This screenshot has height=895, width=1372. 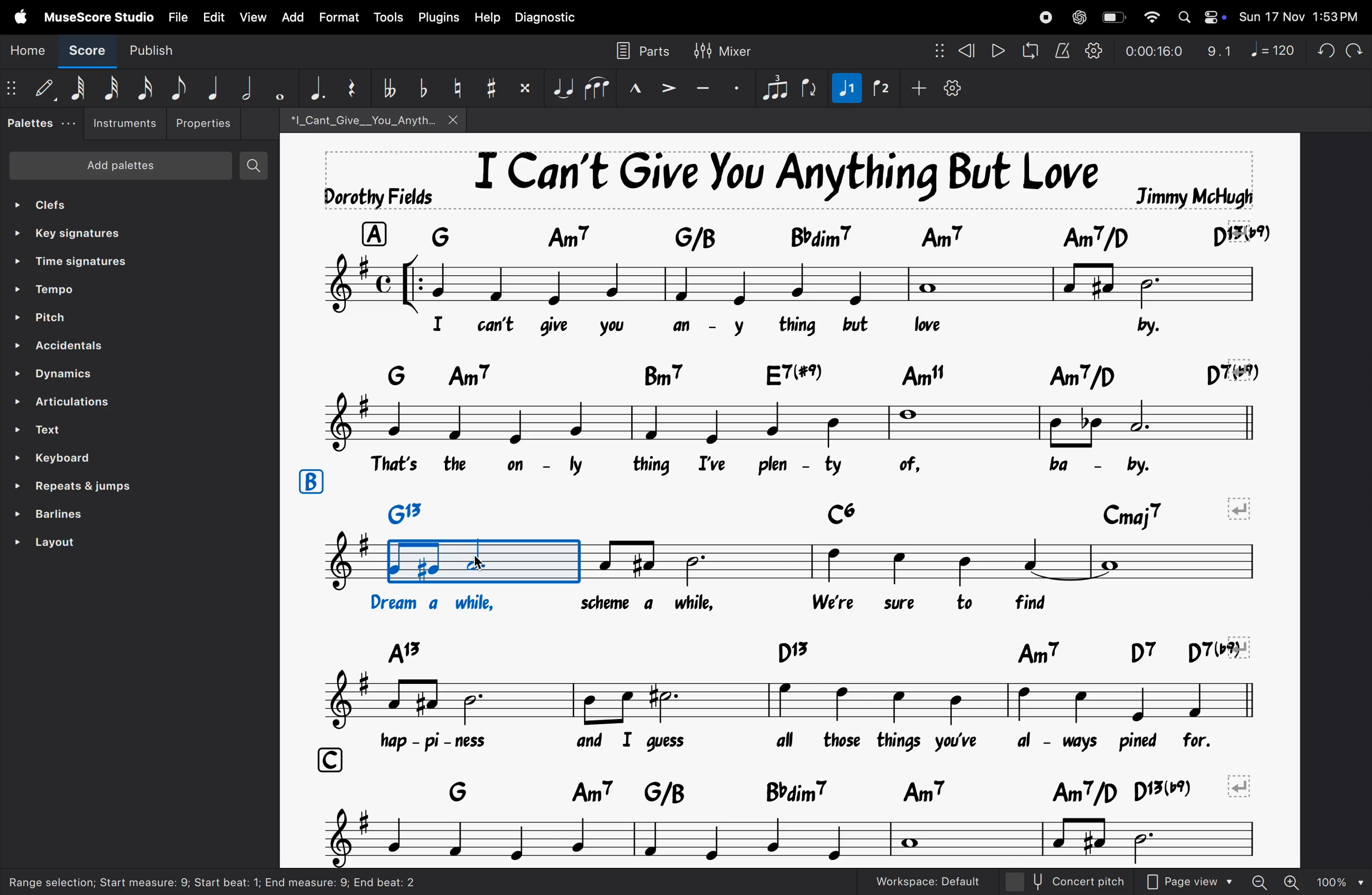 I want to click on customize toolbar, so click(x=959, y=87).